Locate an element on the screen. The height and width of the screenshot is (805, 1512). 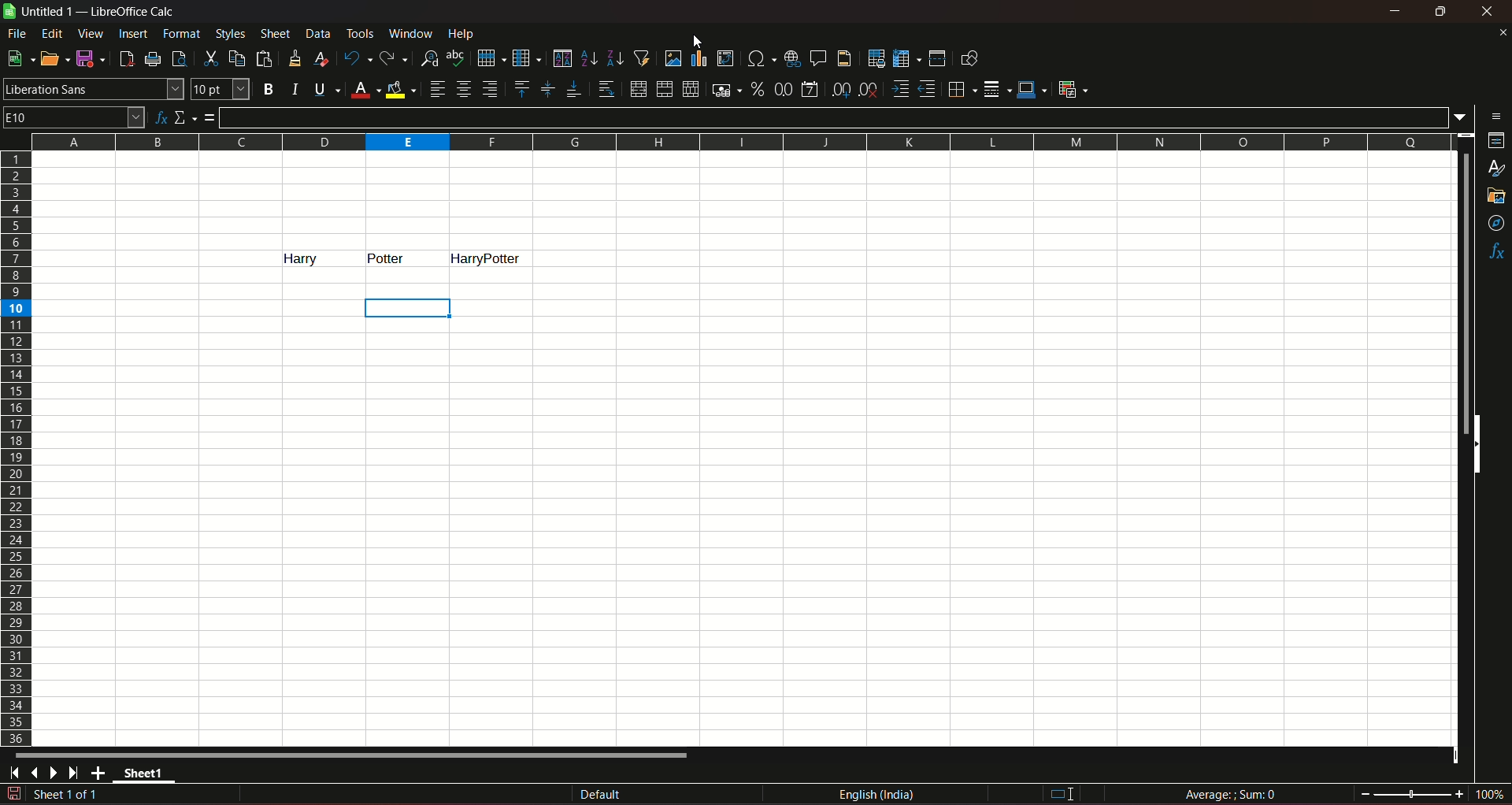
gallery is located at coordinates (1495, 196).